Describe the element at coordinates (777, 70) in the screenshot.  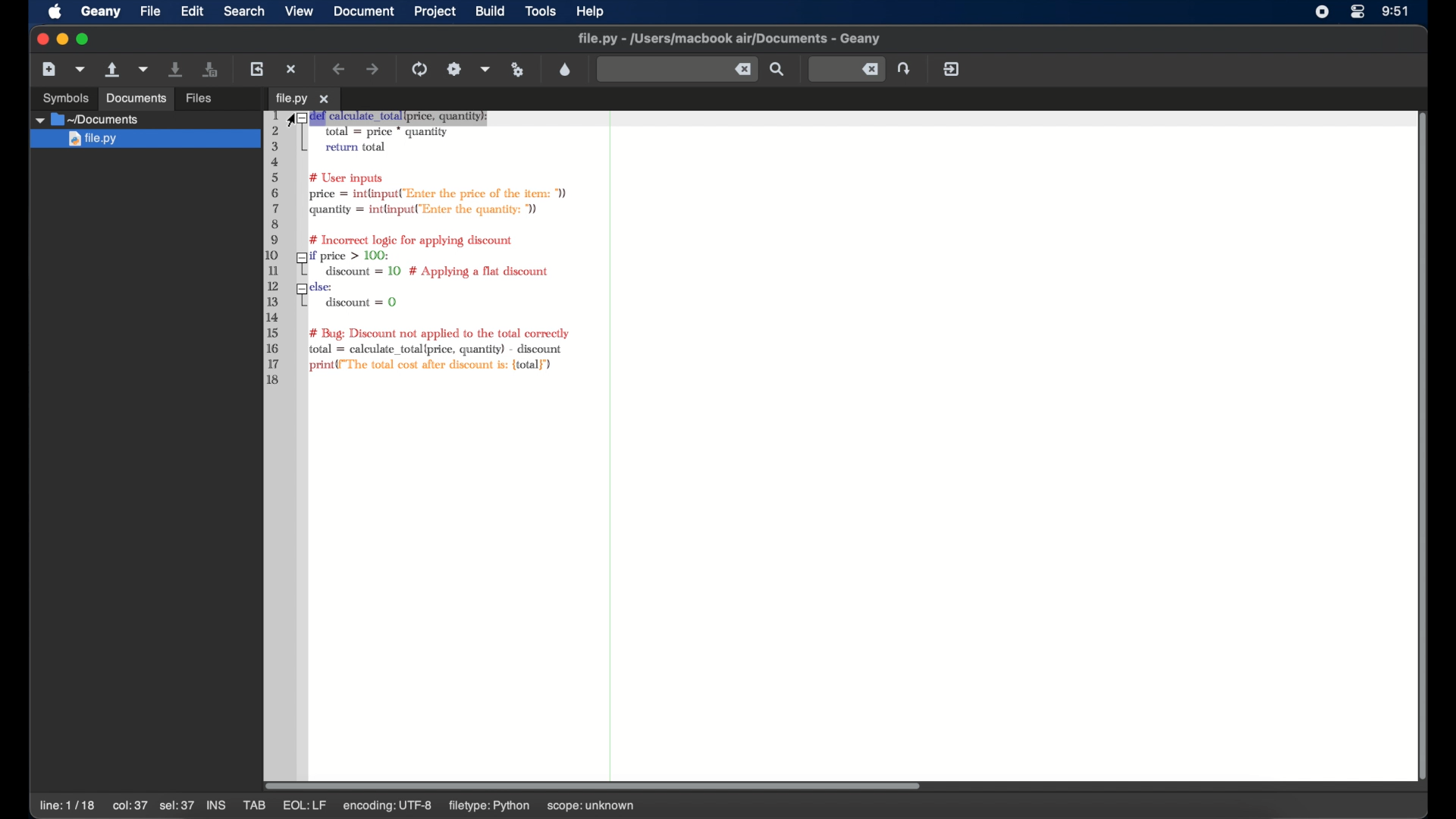
I see `find the entered text in current file` at that location.